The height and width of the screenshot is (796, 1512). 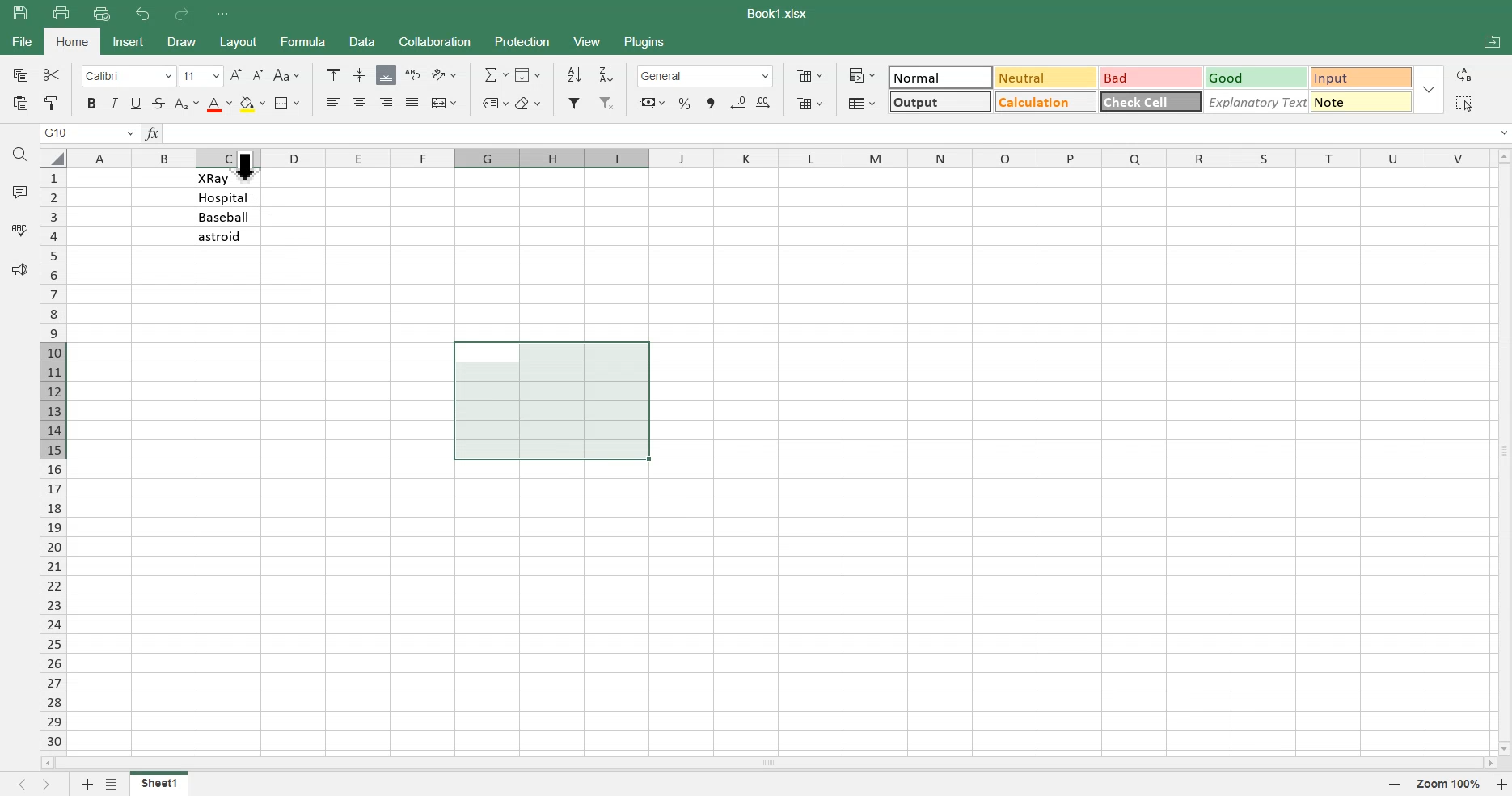 What do you see at coordinates (251, 103) in the screenshot?
I see `Fill Color` at bounding box center [251, 103].